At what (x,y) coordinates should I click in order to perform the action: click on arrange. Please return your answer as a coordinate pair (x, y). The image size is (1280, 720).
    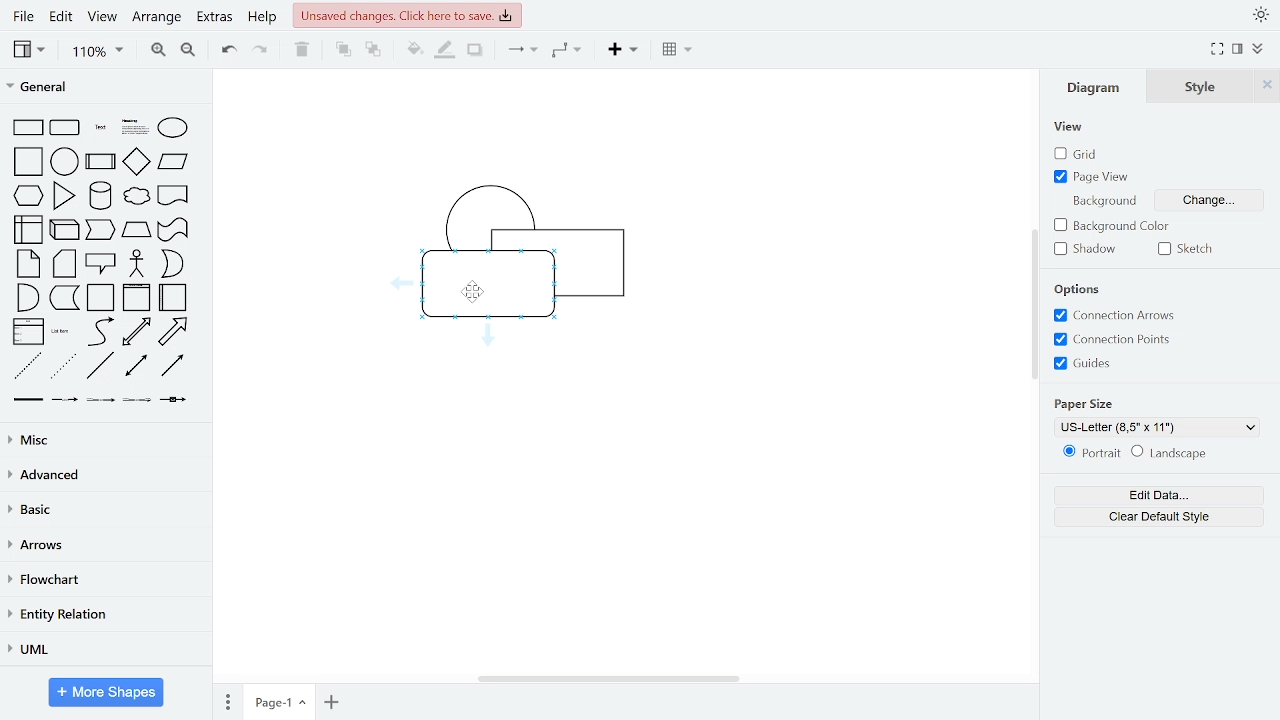
    Looking at the image, I should click on (159, 19).